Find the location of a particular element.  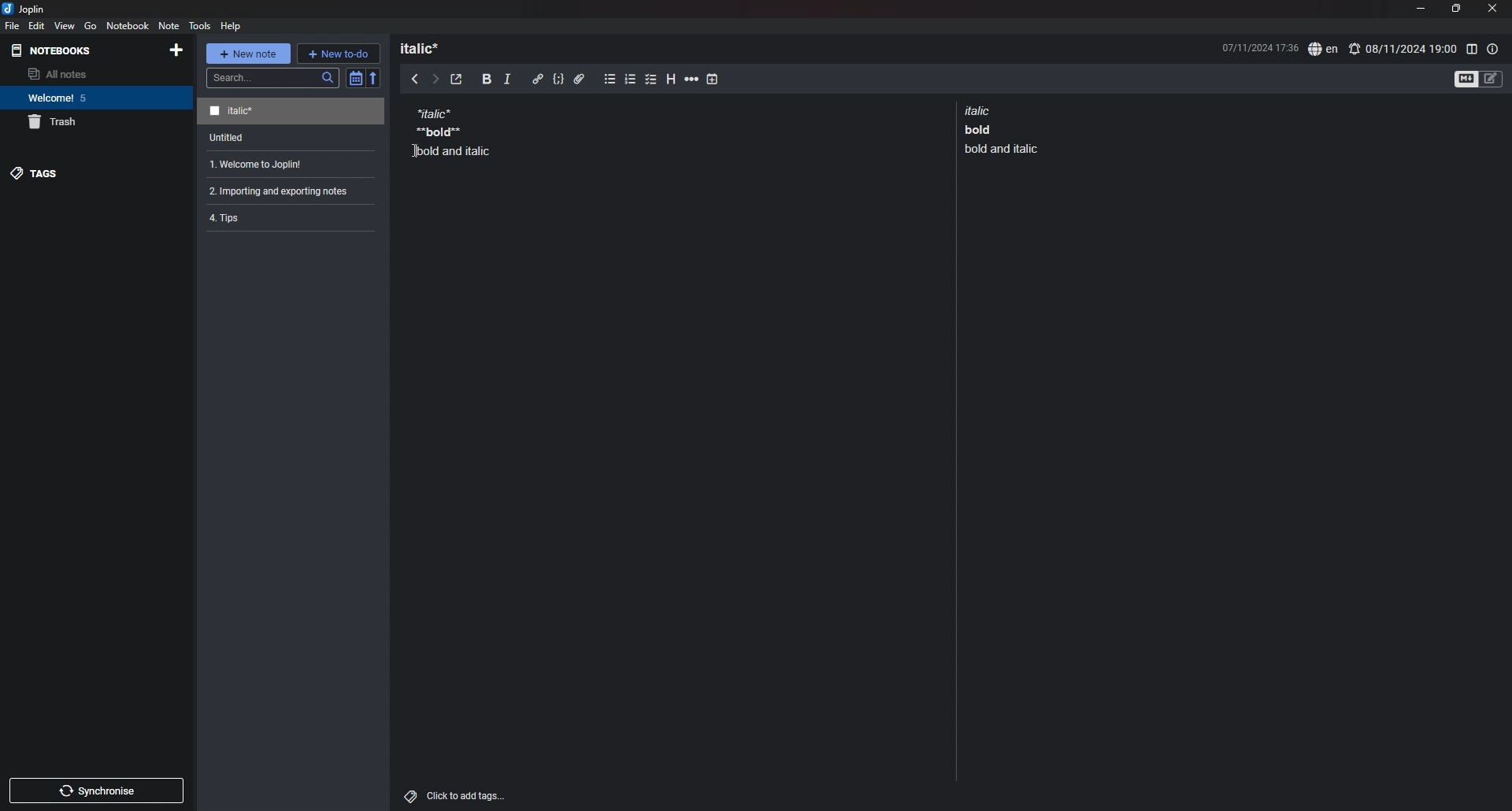

note is located at coordinates (293, 138).